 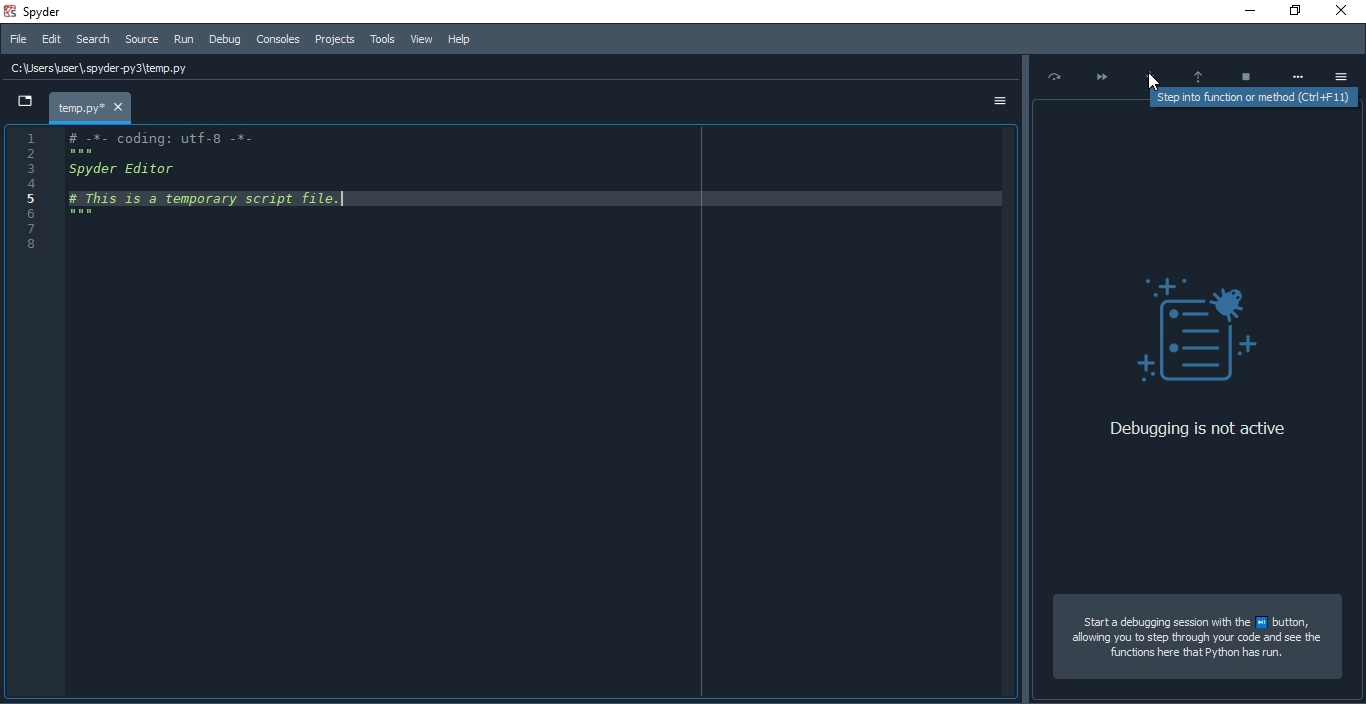 What do you see at coordinates (1200, 263) in the screenshot?
I see `debugging details` at bounding box center [1200, 263].